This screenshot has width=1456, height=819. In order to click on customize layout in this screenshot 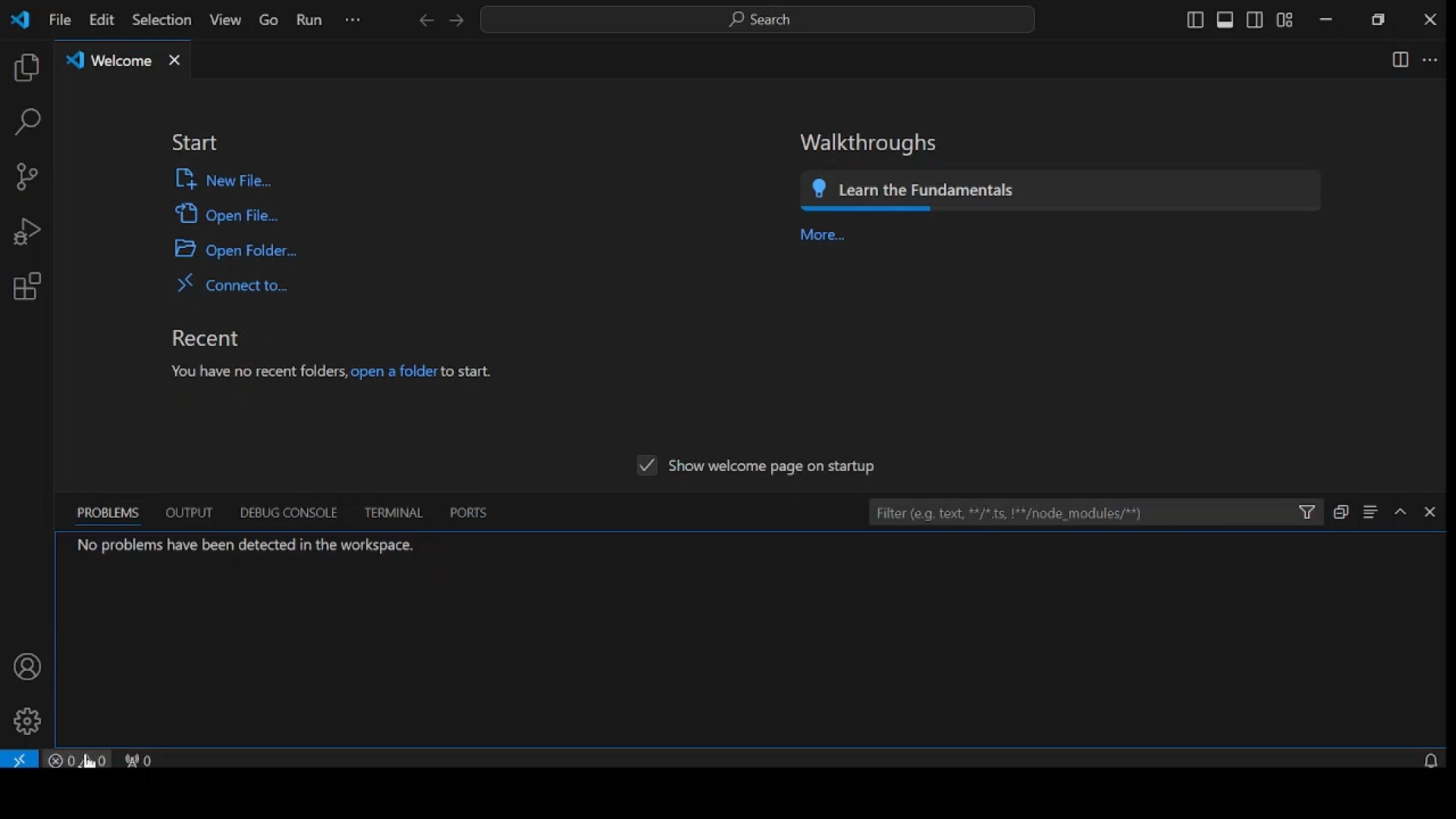, I will do `click(1285, 20)`.